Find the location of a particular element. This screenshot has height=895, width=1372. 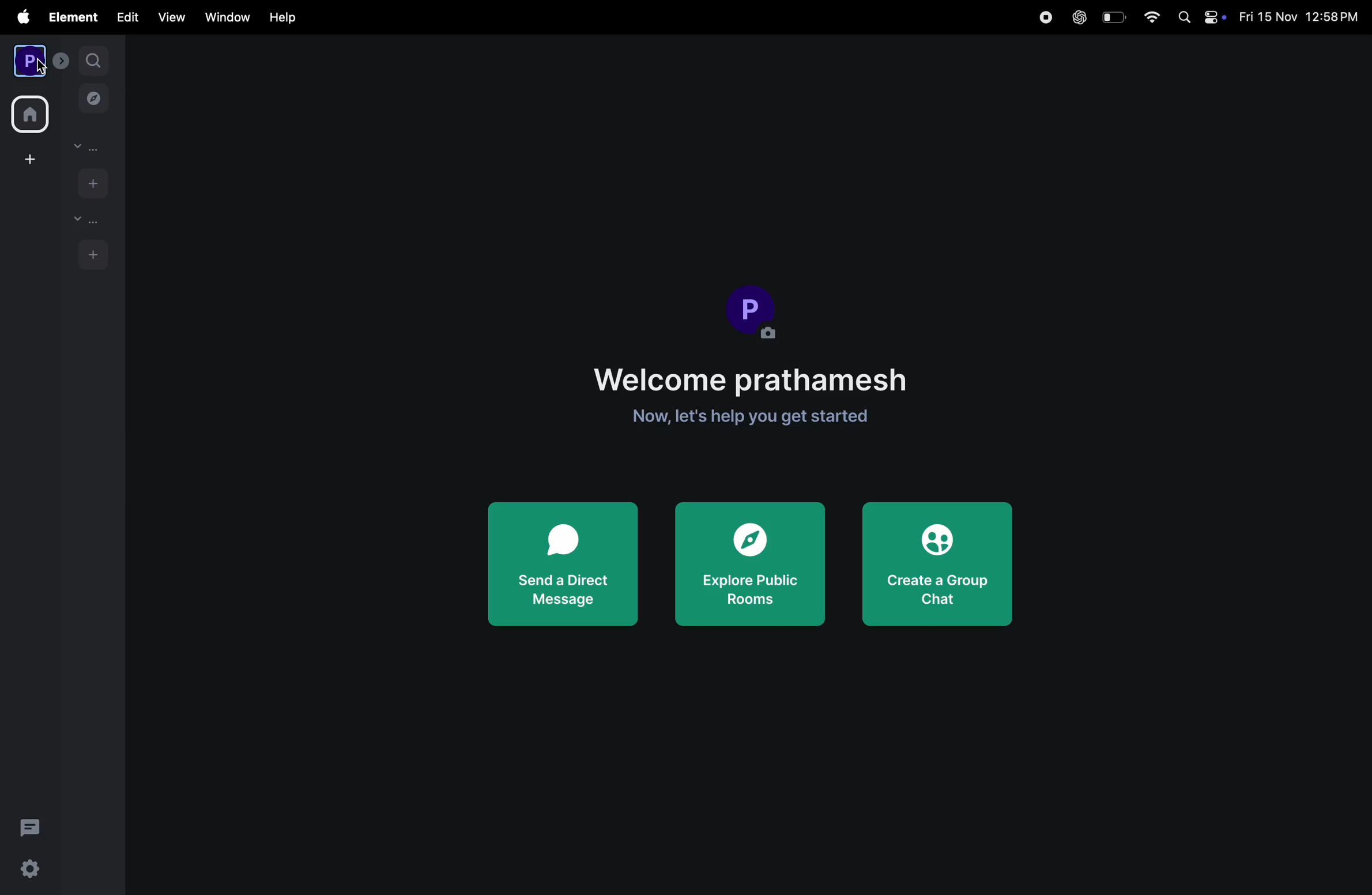

battery is located at coordinates (1113, 17).